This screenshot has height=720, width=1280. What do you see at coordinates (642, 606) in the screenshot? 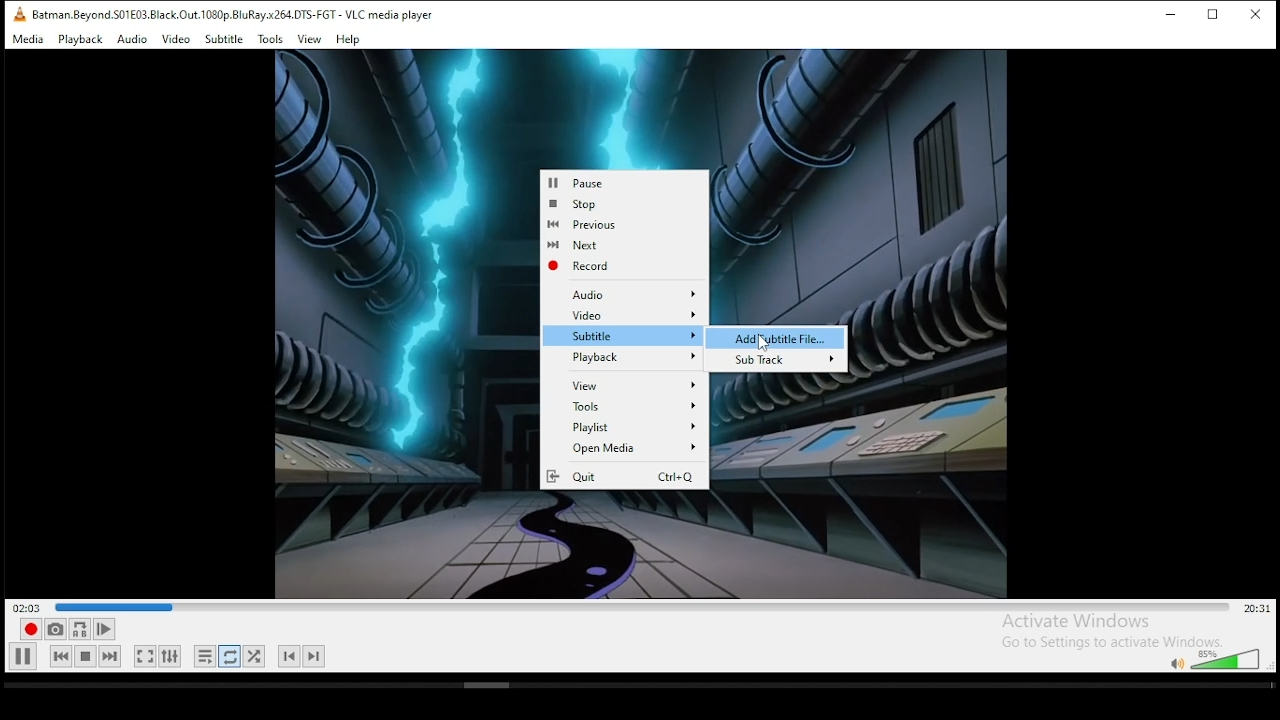
I see `seek bar` at bounding box center [642, 606].